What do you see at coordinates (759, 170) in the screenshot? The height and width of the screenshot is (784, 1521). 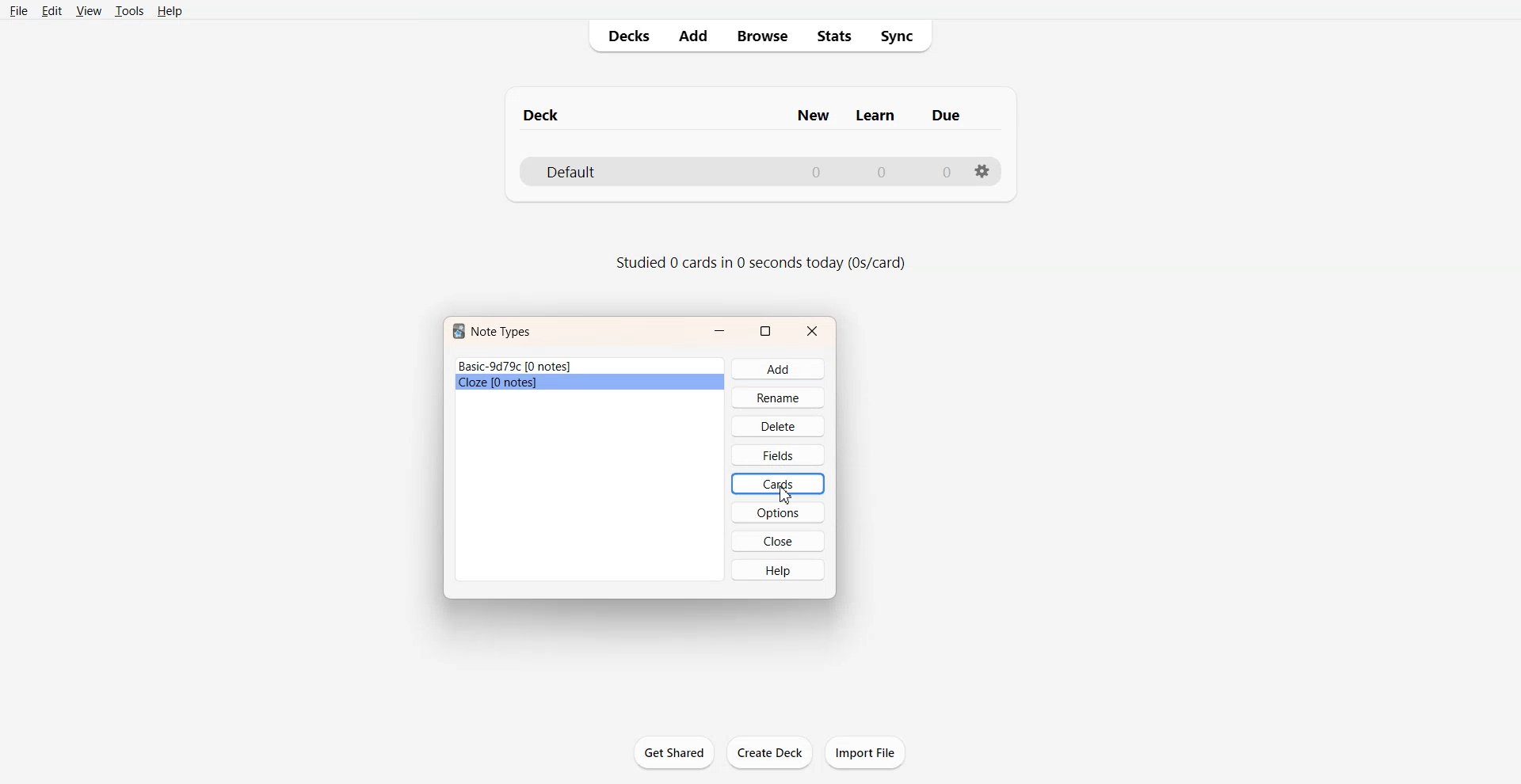 I see `Deck File` at bounding box center [759, 170].